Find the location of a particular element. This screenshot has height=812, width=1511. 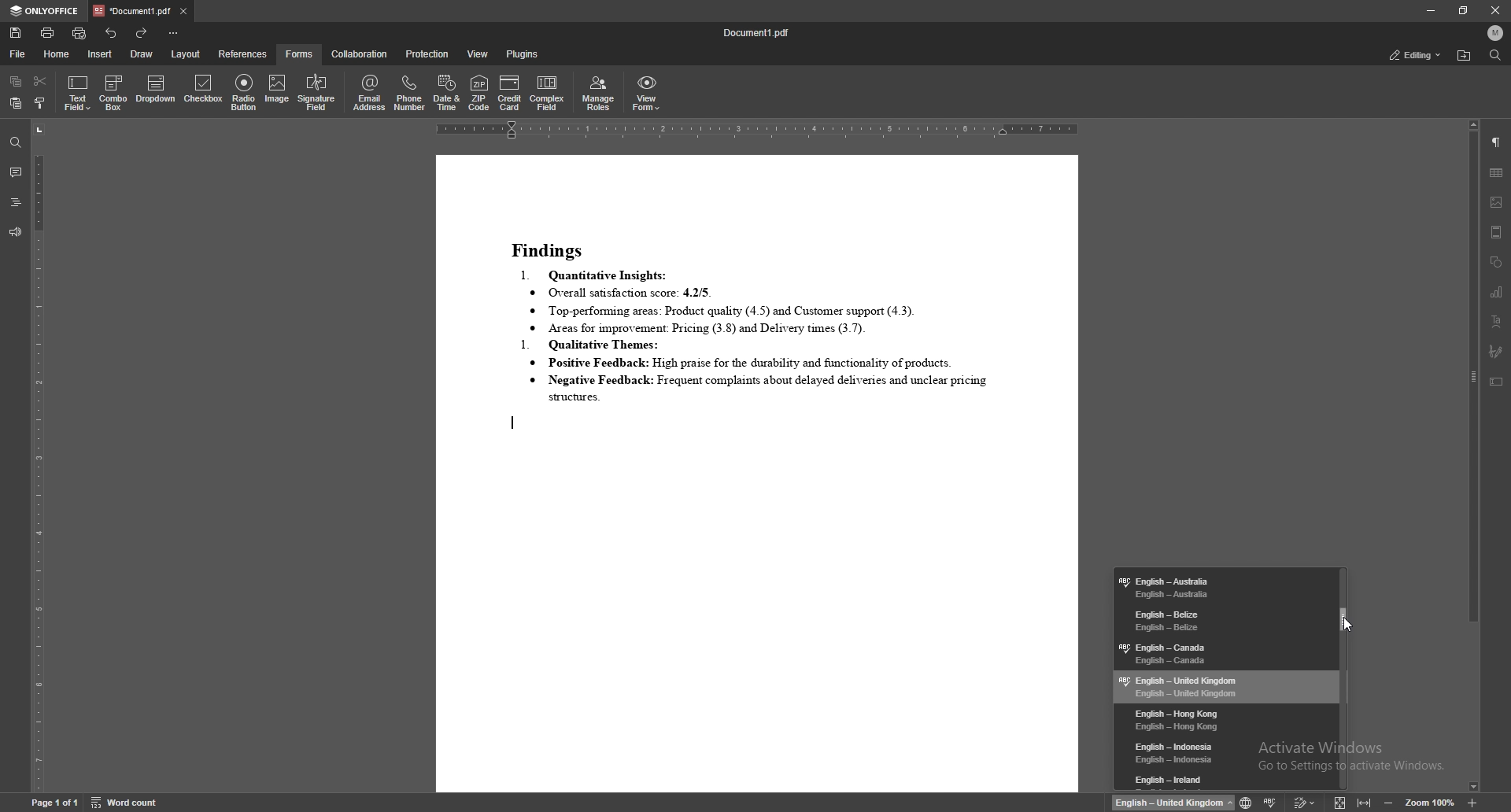

find is located at coordinates (14, 142).